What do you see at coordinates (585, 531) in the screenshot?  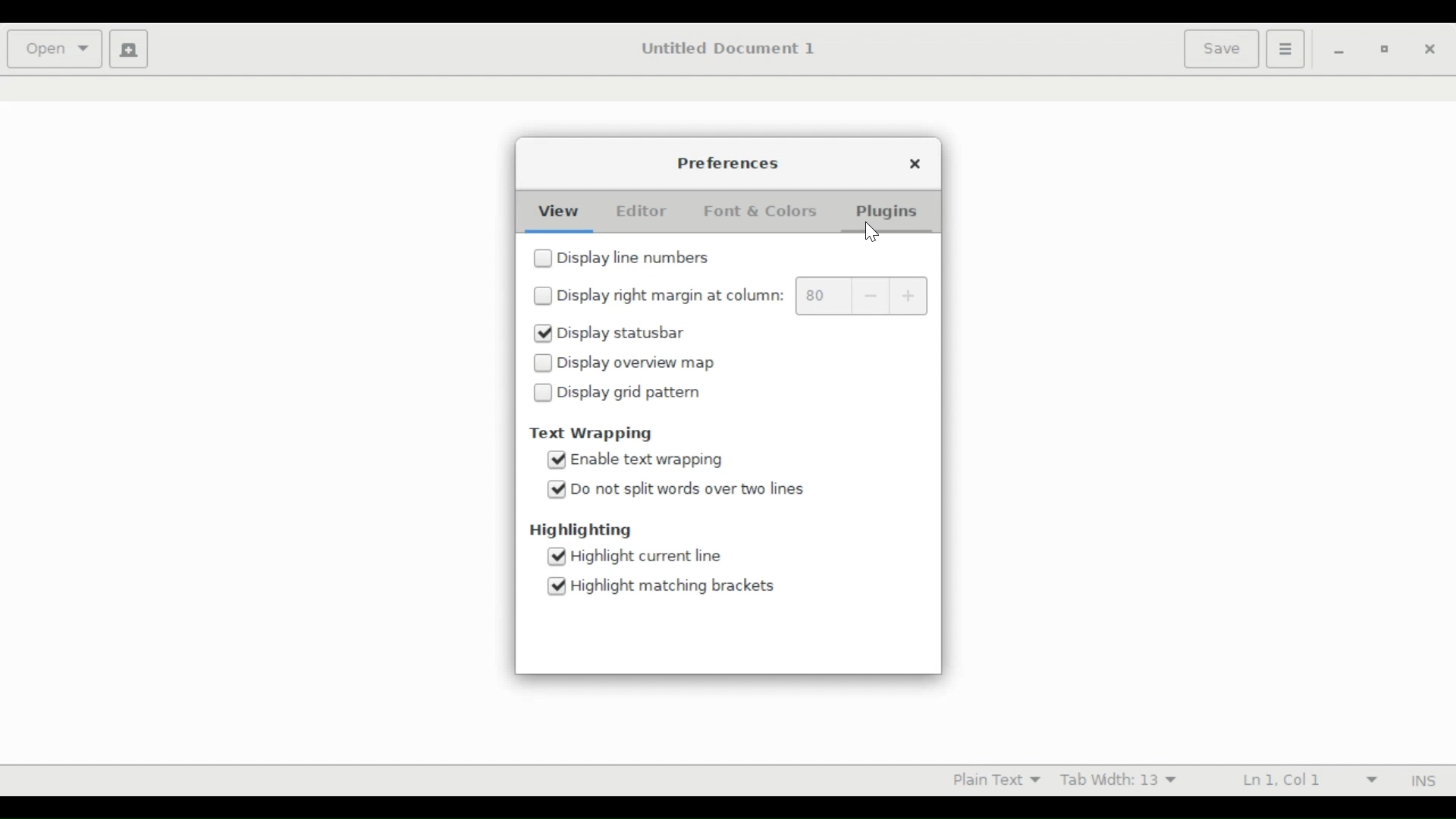 I see `Highlighting` at bounding box center [585, 531].